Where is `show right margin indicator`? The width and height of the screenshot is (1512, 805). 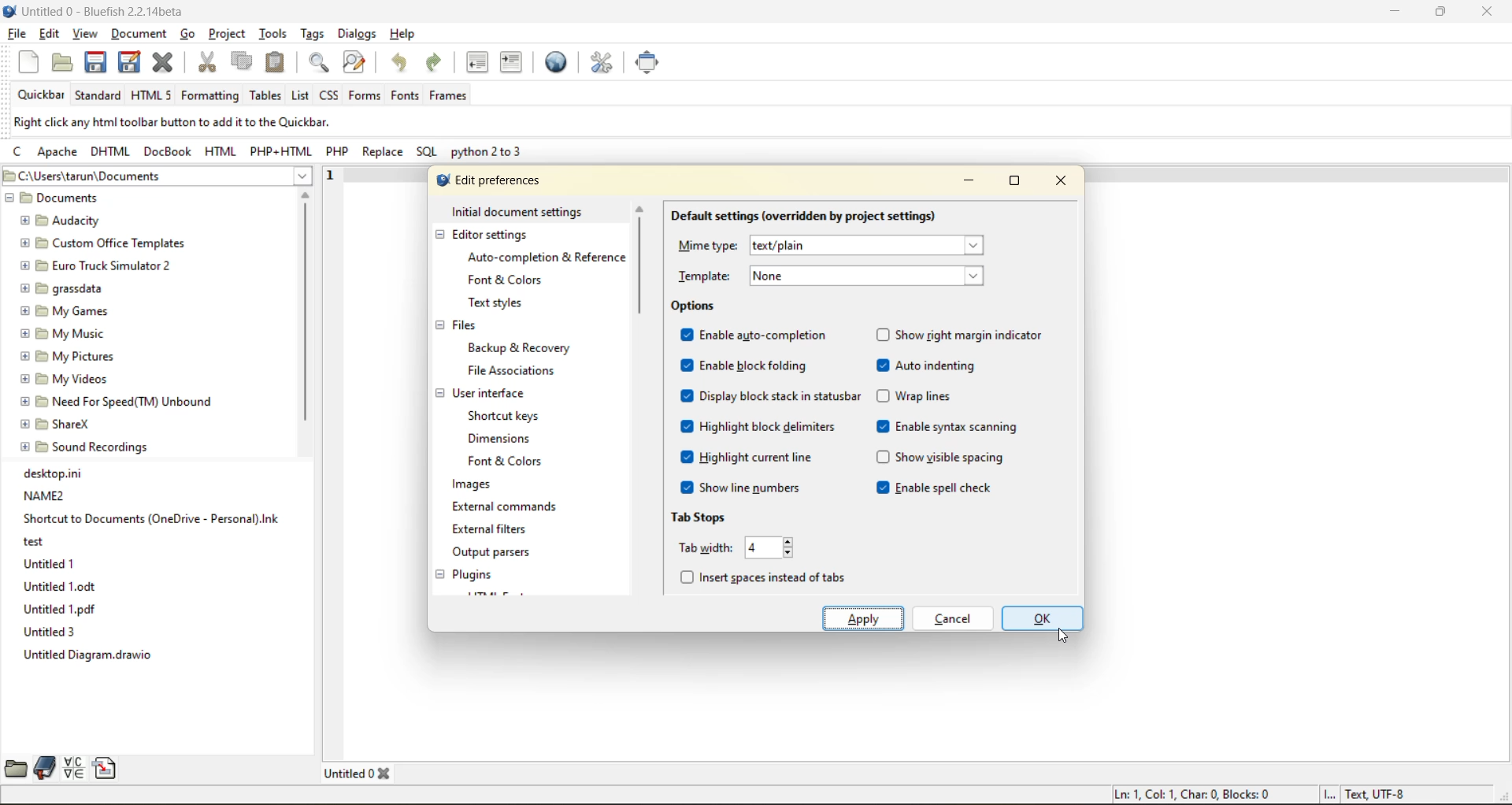
show right margin indicator is located at coordinates (964, 334).